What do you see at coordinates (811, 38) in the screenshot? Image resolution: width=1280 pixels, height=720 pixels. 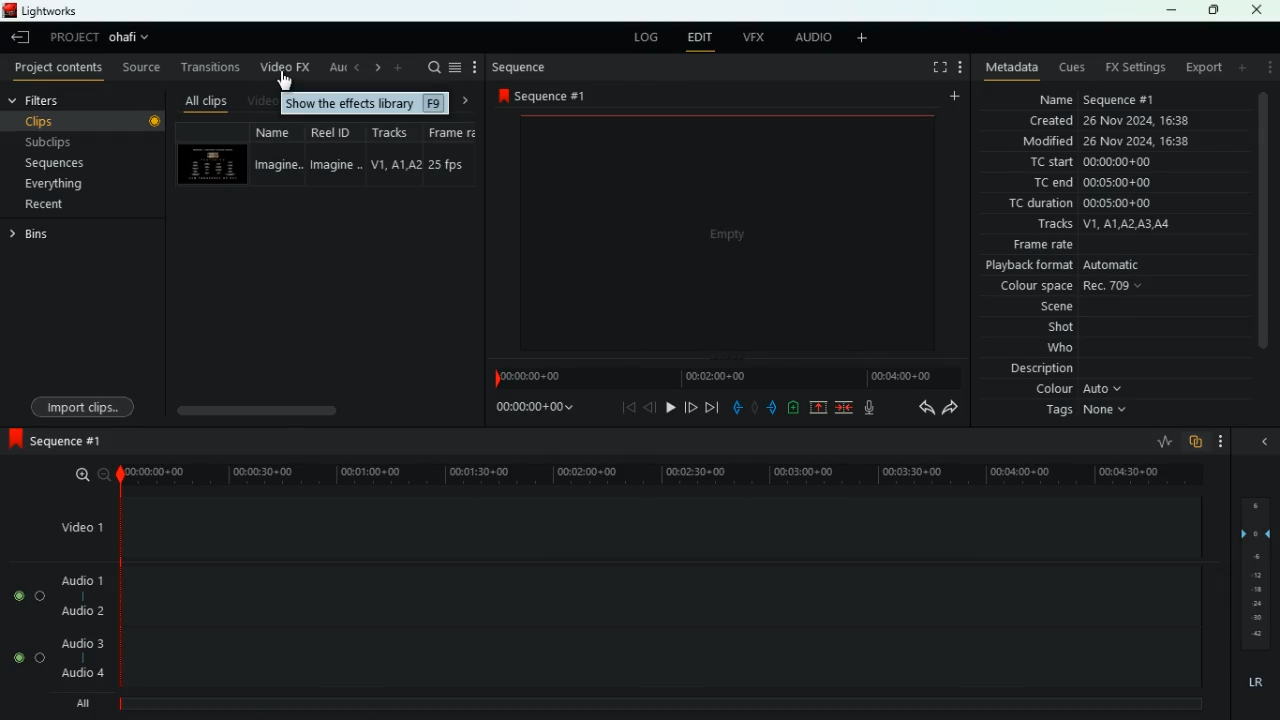 I see `audio` at bounding box center [811, 38].